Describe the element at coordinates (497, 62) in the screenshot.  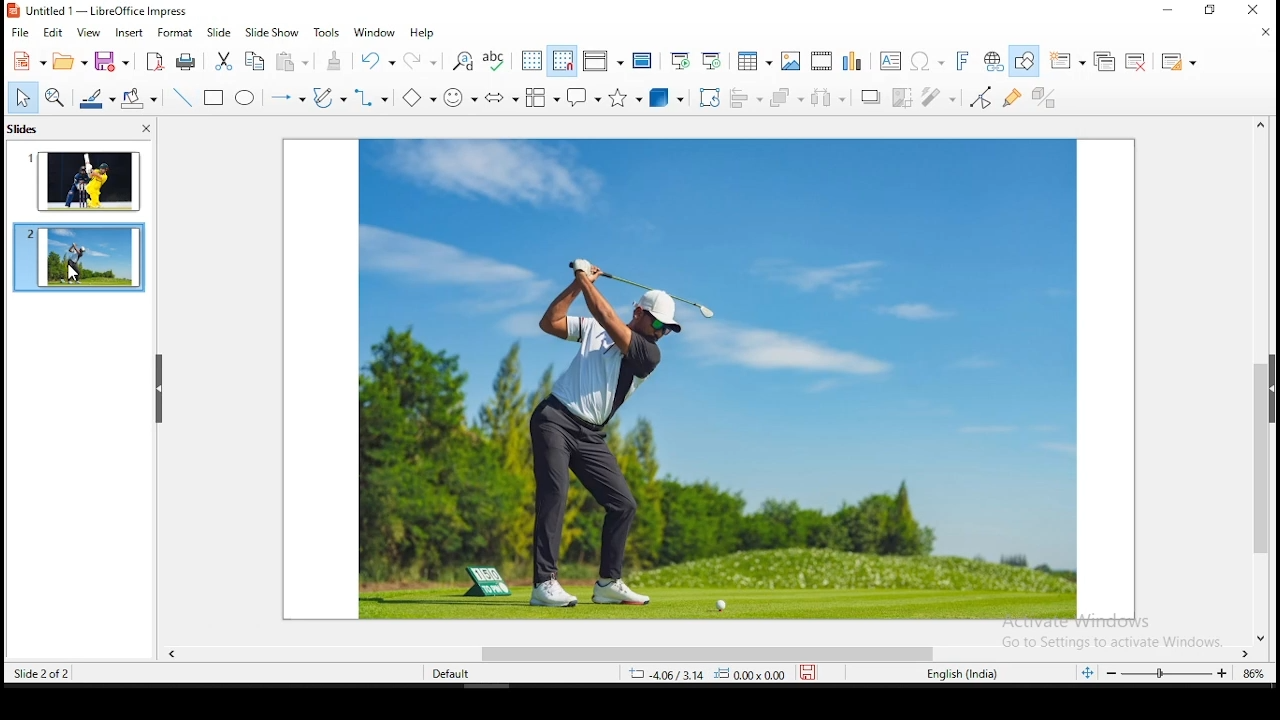
I see `spell check` at that location.